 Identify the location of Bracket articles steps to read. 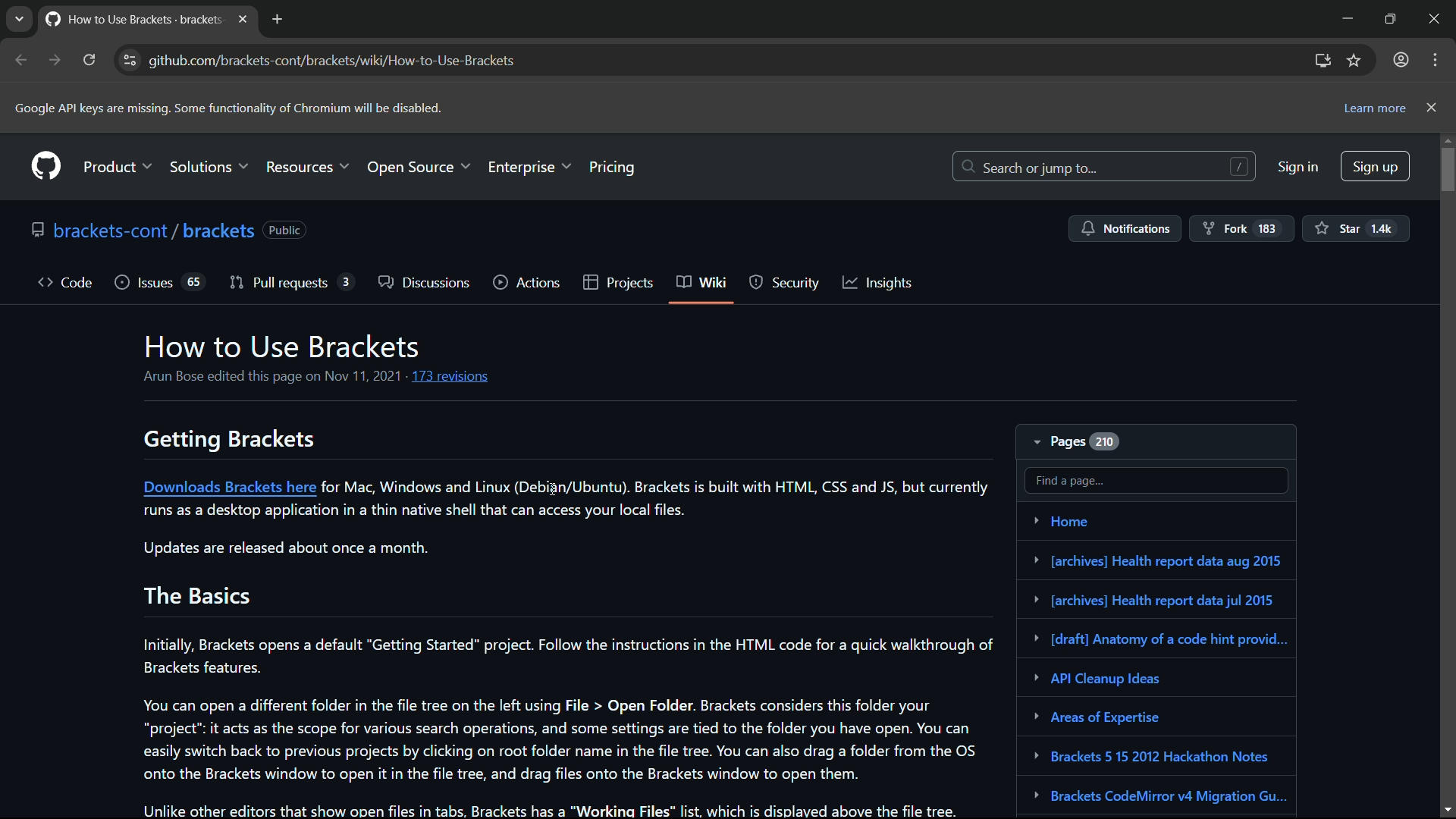
(1159, 658).